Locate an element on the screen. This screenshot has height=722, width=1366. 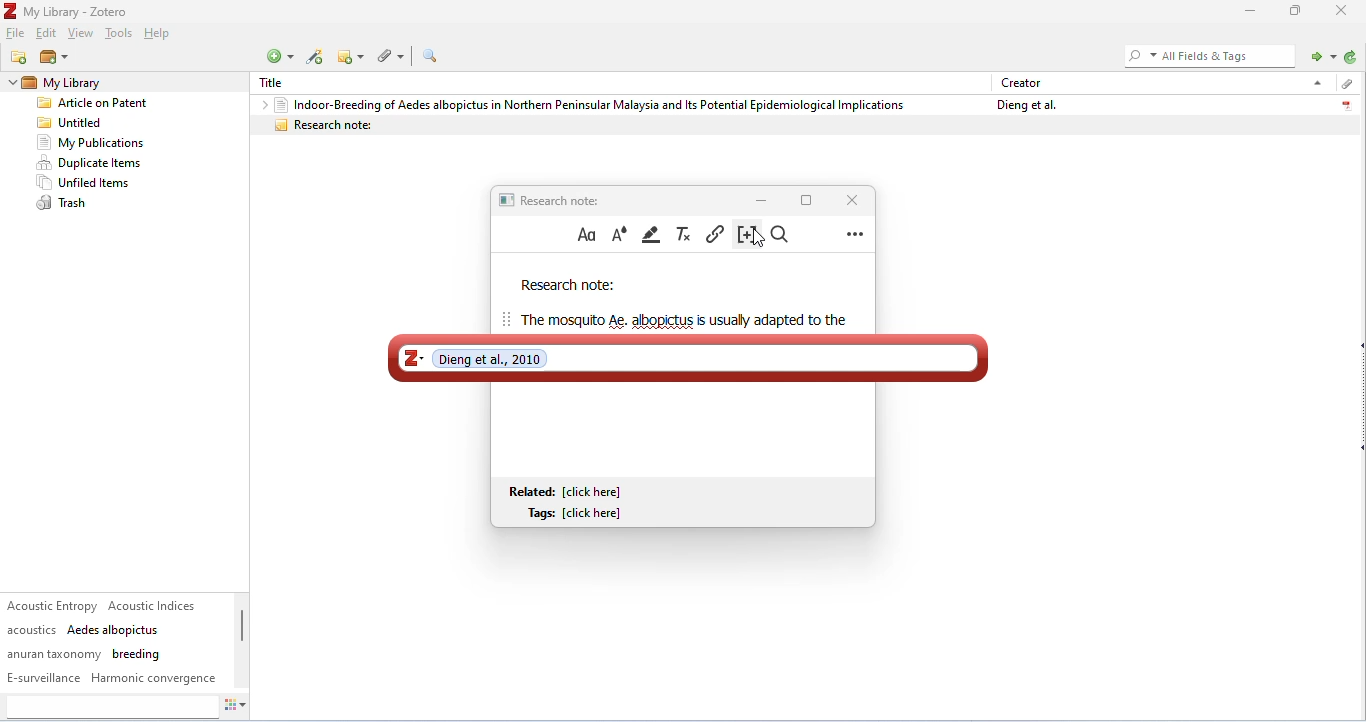
drop down is located at coordinates (1315, 82).